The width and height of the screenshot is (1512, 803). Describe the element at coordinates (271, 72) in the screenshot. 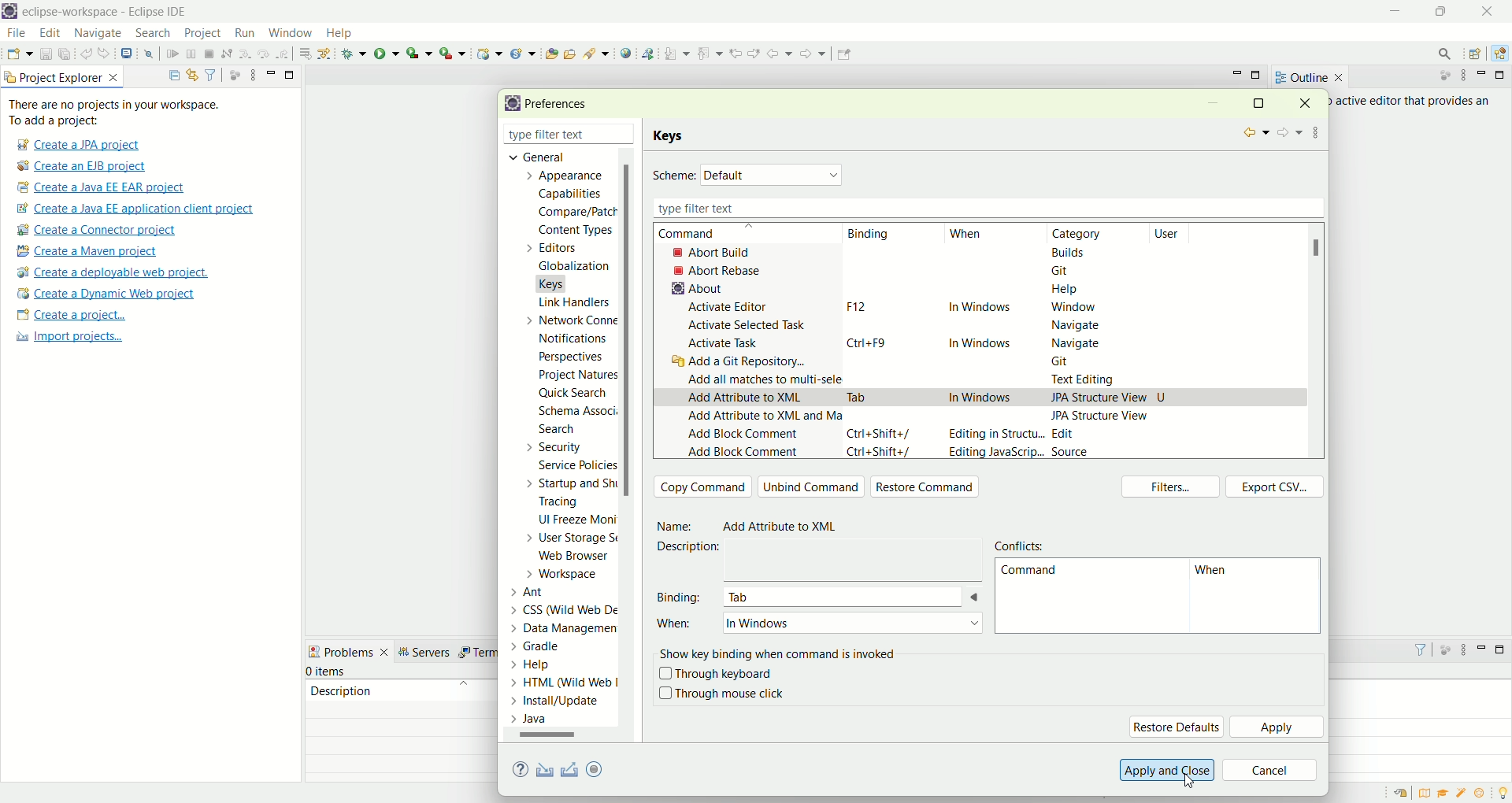

I see `minimize` at that location.